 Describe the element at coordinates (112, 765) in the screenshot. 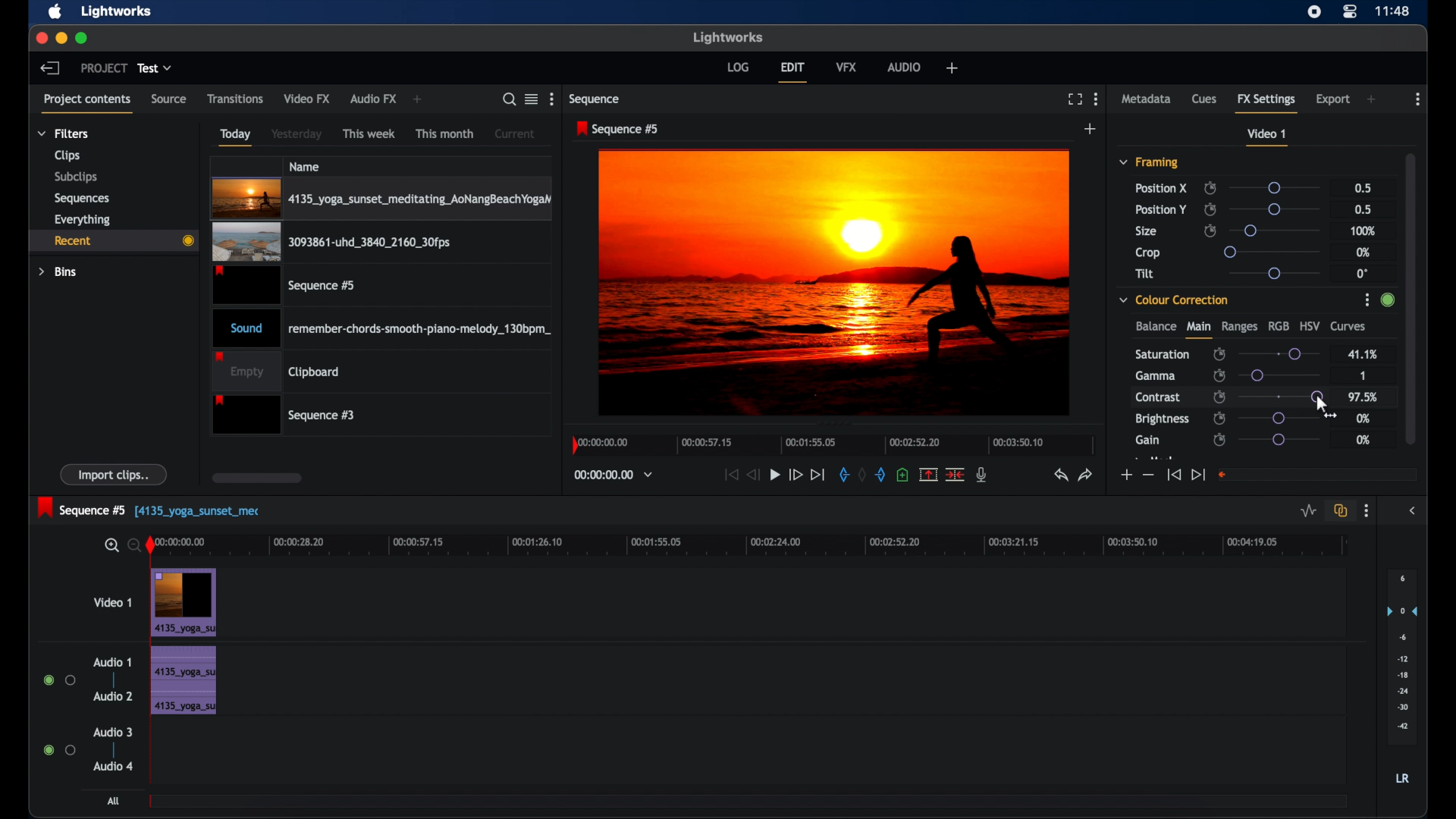

I see `audio 4` at that location.